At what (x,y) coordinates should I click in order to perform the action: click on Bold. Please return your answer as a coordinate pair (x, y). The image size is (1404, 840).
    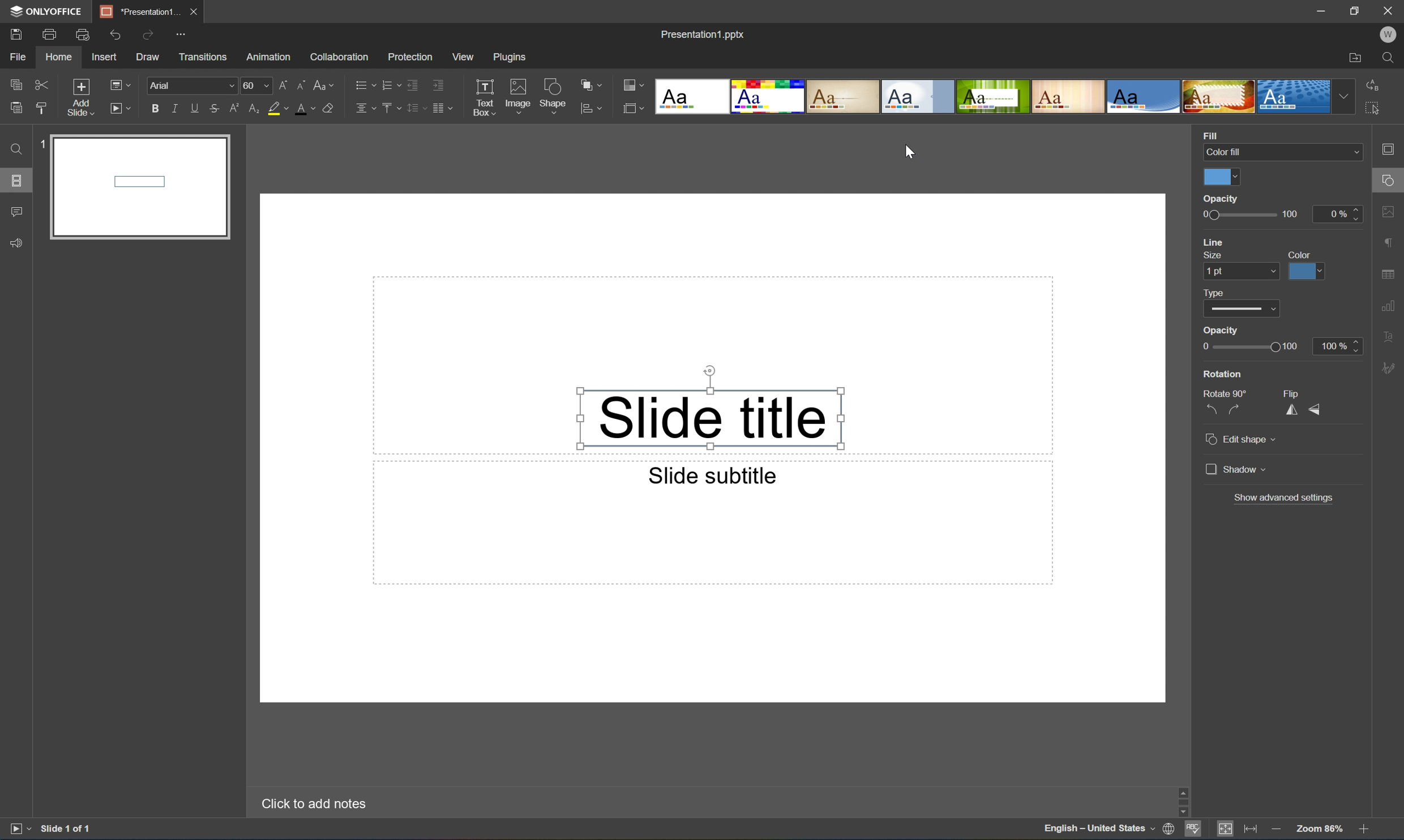
    Looking at the image, I should click on (153, 108).